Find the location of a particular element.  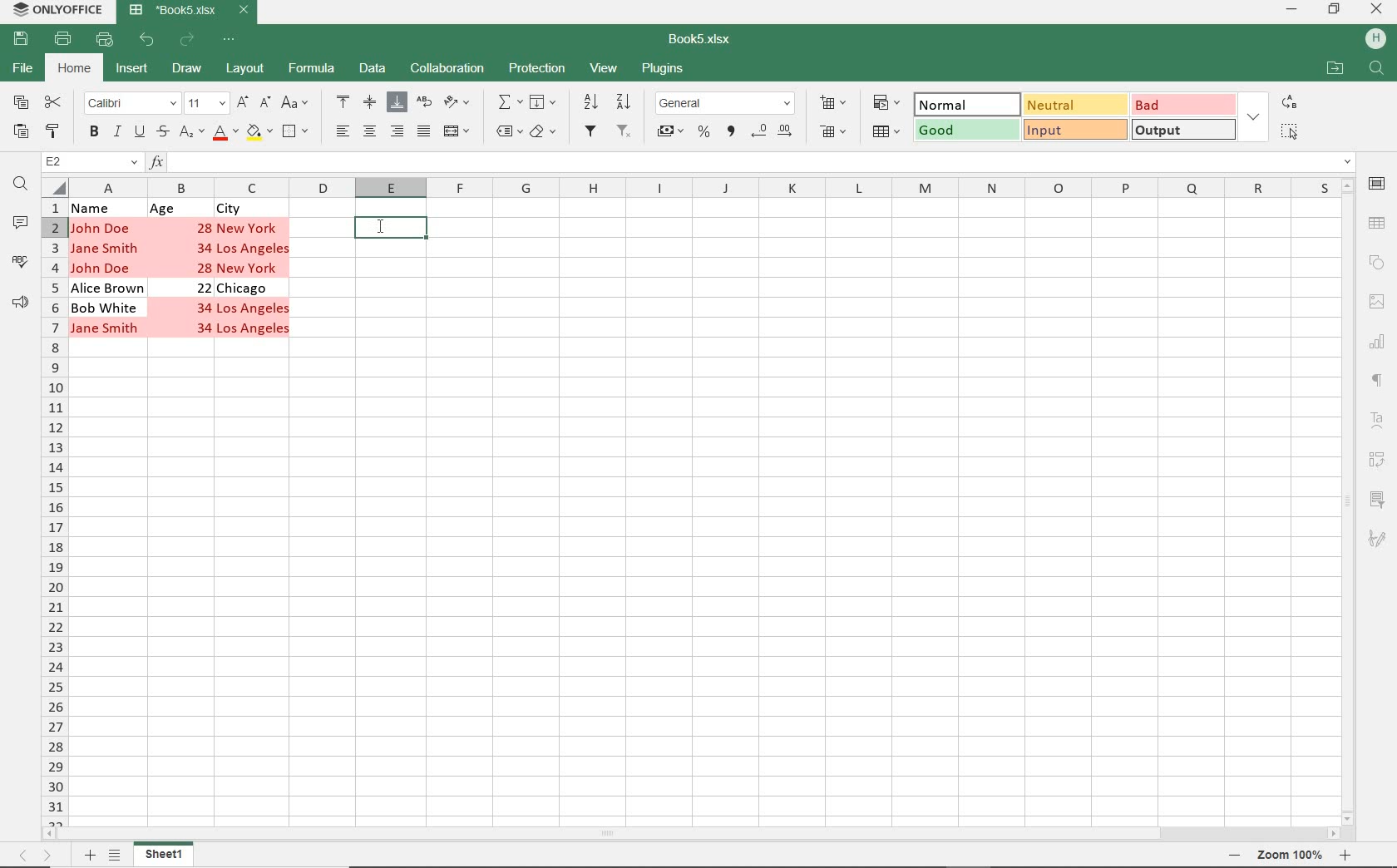

SHAPE is located at coordinates (1376, 261).